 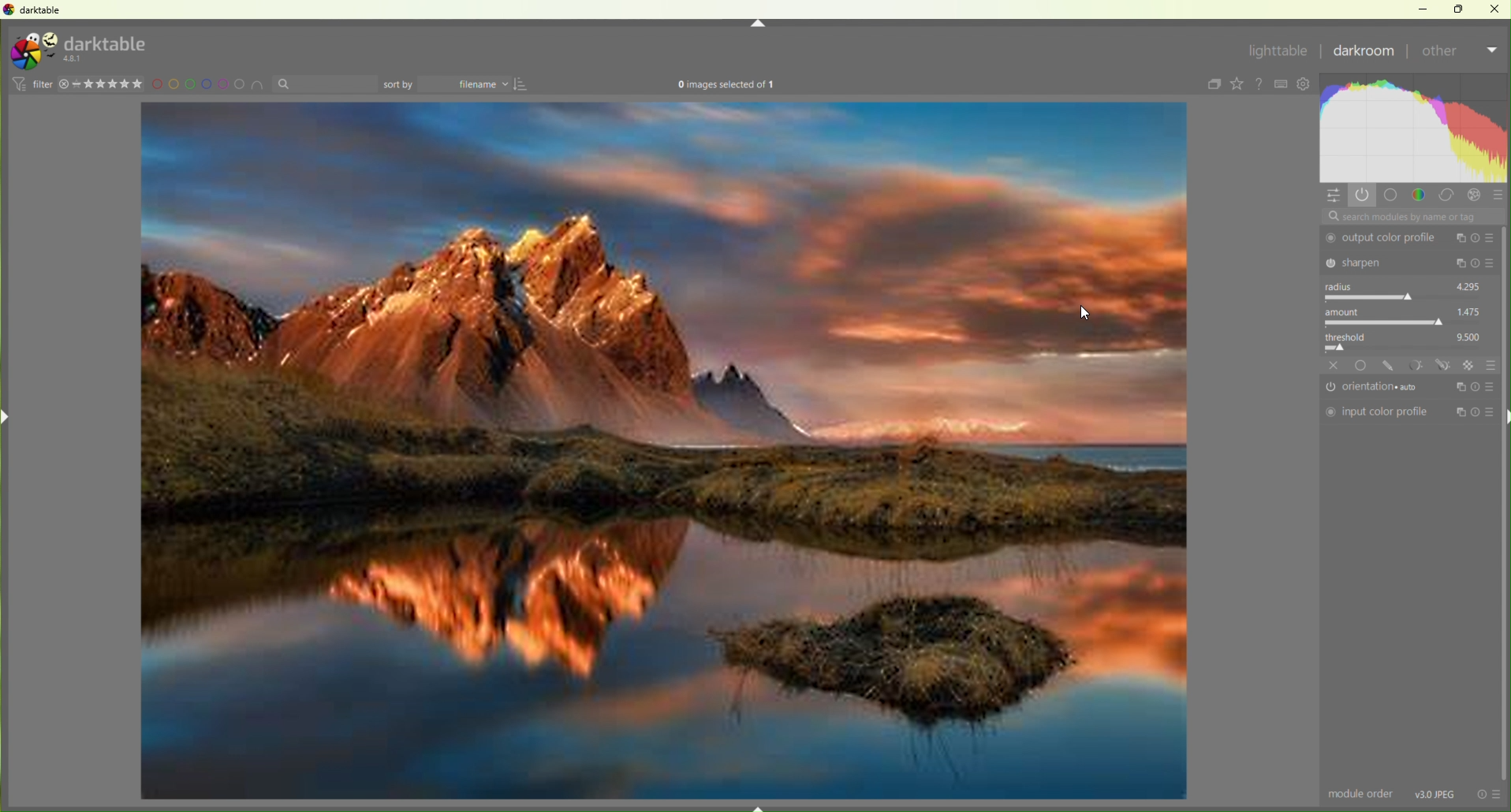 I want to click on shortcuts, so click(x=1282, y=84).